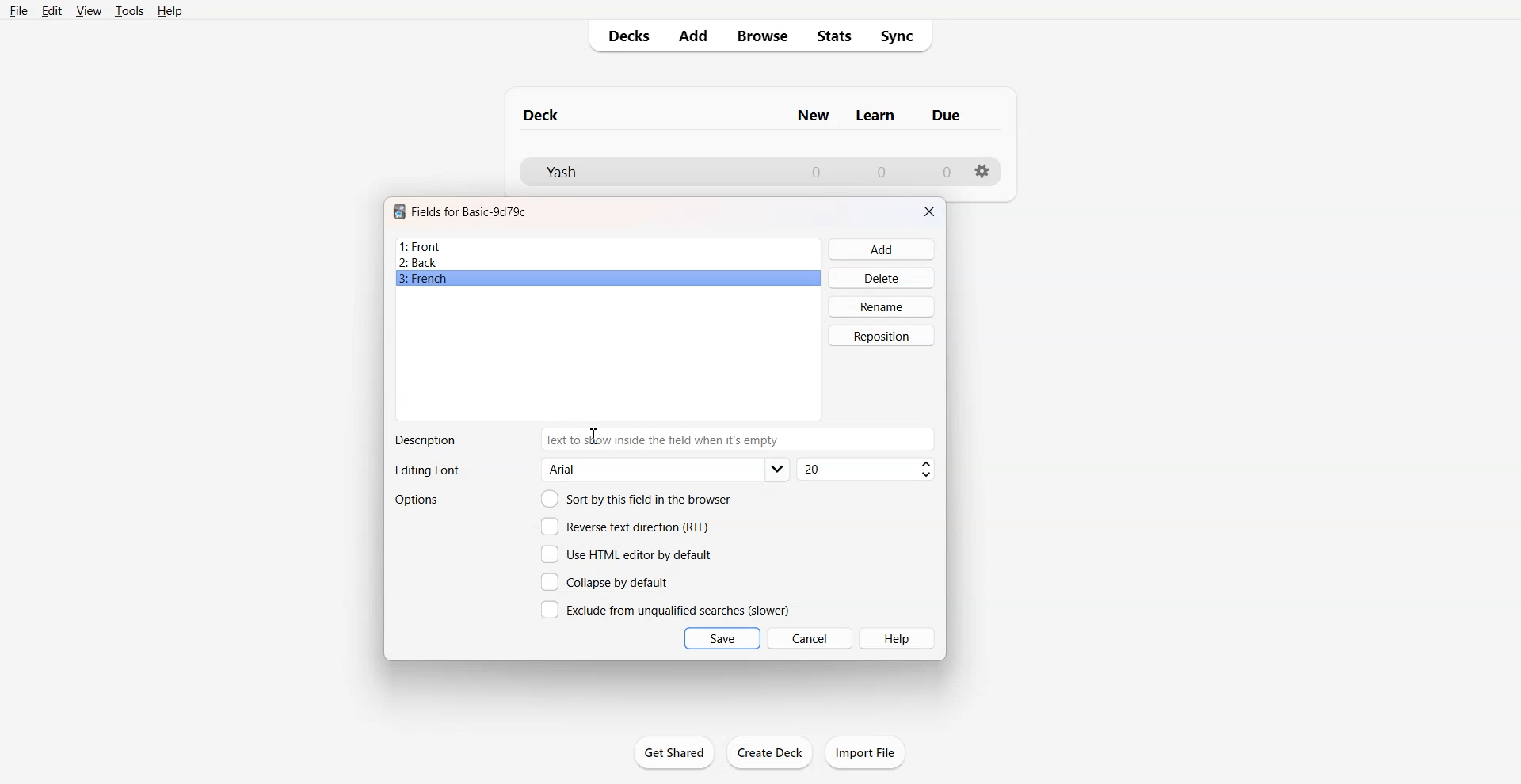 The image size is (1521, 784). Describe the element at coordinates (882, 277) in the screenshot. I see `Delete` at that location.